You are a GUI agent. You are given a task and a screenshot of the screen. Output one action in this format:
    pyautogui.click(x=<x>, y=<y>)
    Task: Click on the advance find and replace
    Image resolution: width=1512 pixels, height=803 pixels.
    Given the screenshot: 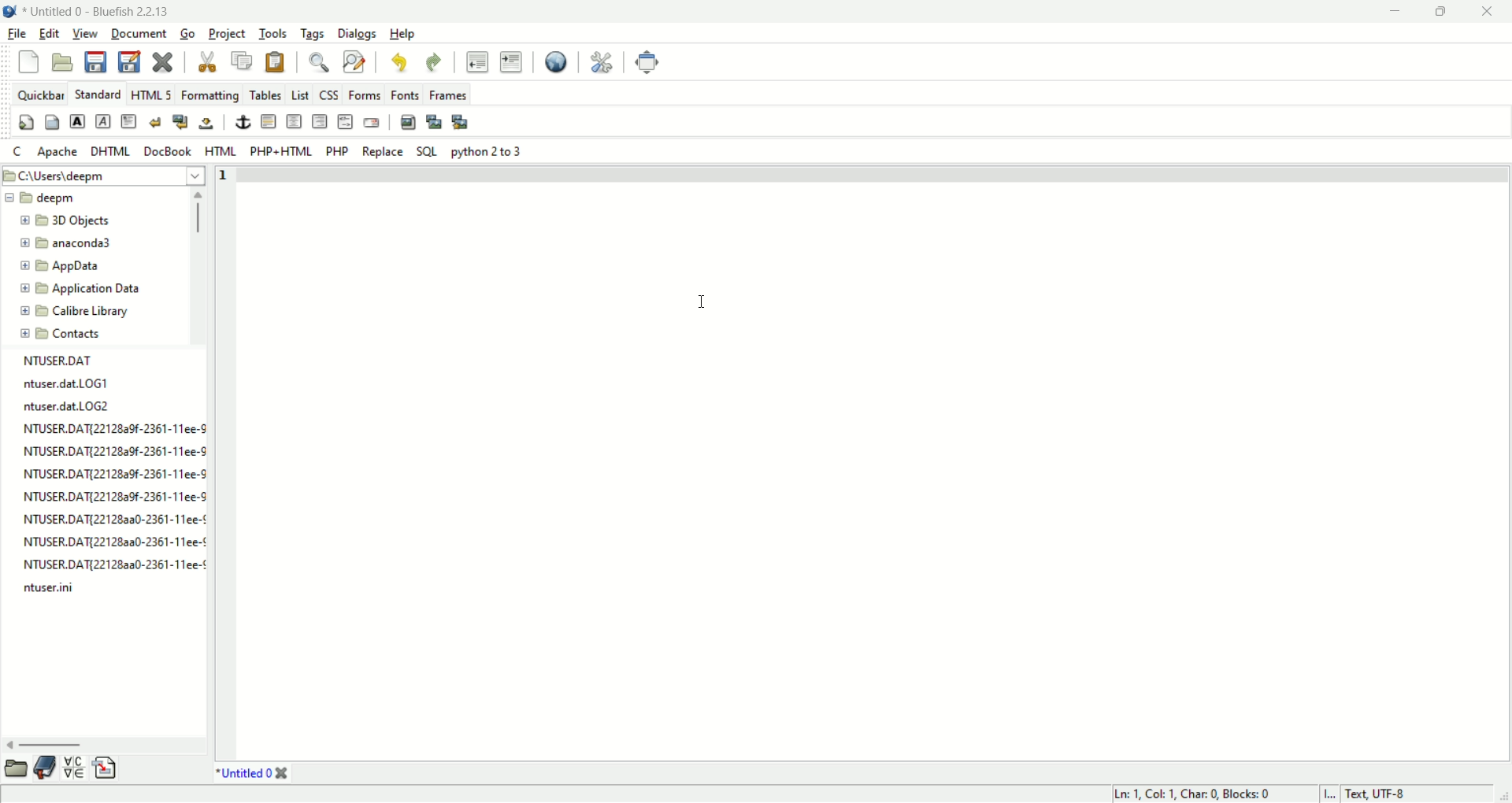 What is the action you would take?
    pyautogui.click(x=354, y=61)
    